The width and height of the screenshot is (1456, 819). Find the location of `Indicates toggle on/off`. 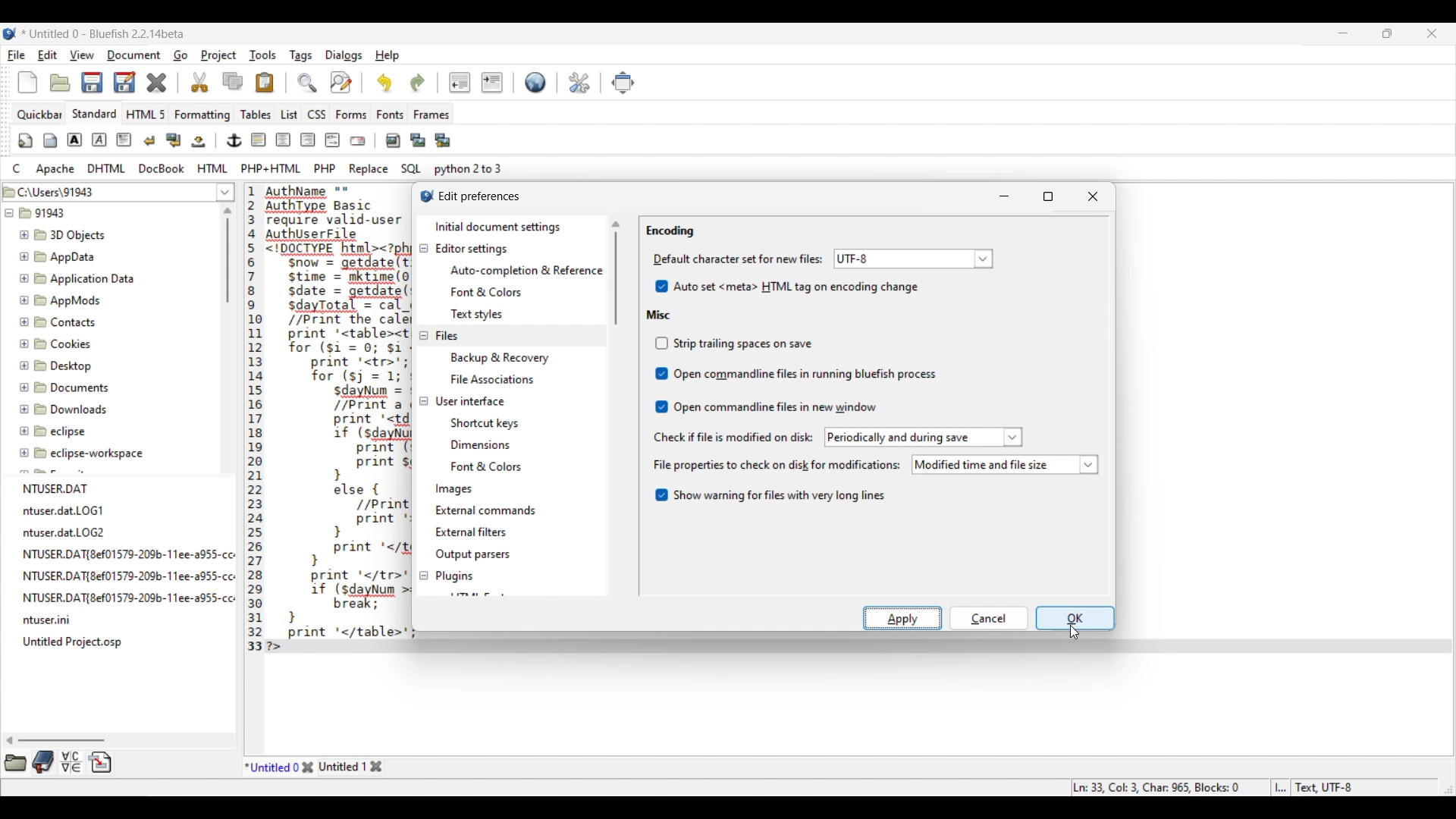

Indicates toggle on/off is located at coordinates (662, 375).